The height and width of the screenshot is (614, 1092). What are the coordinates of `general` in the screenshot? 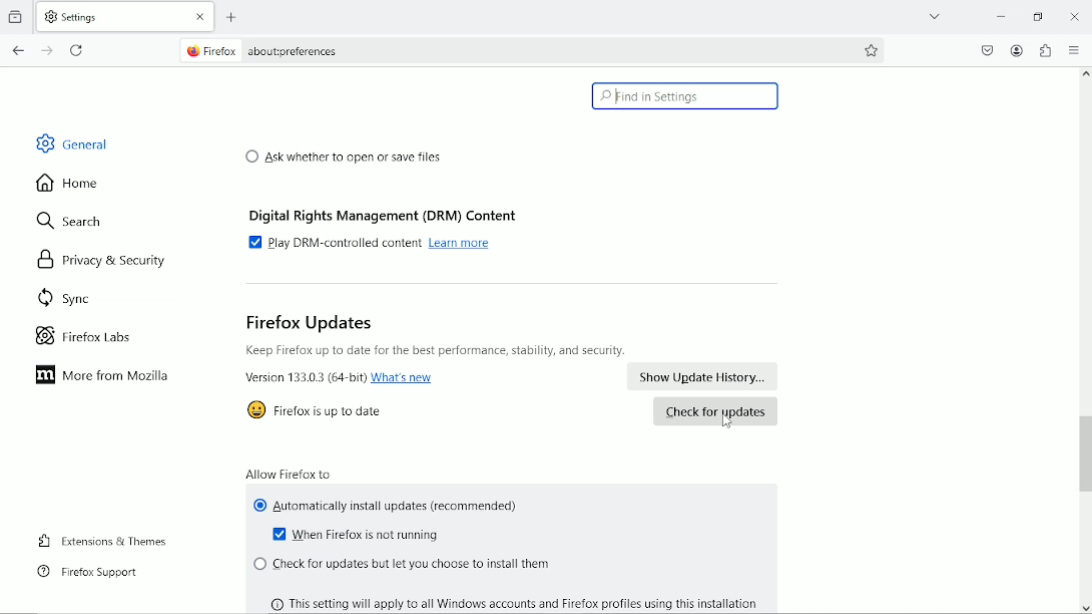 It's located at (71, 143).